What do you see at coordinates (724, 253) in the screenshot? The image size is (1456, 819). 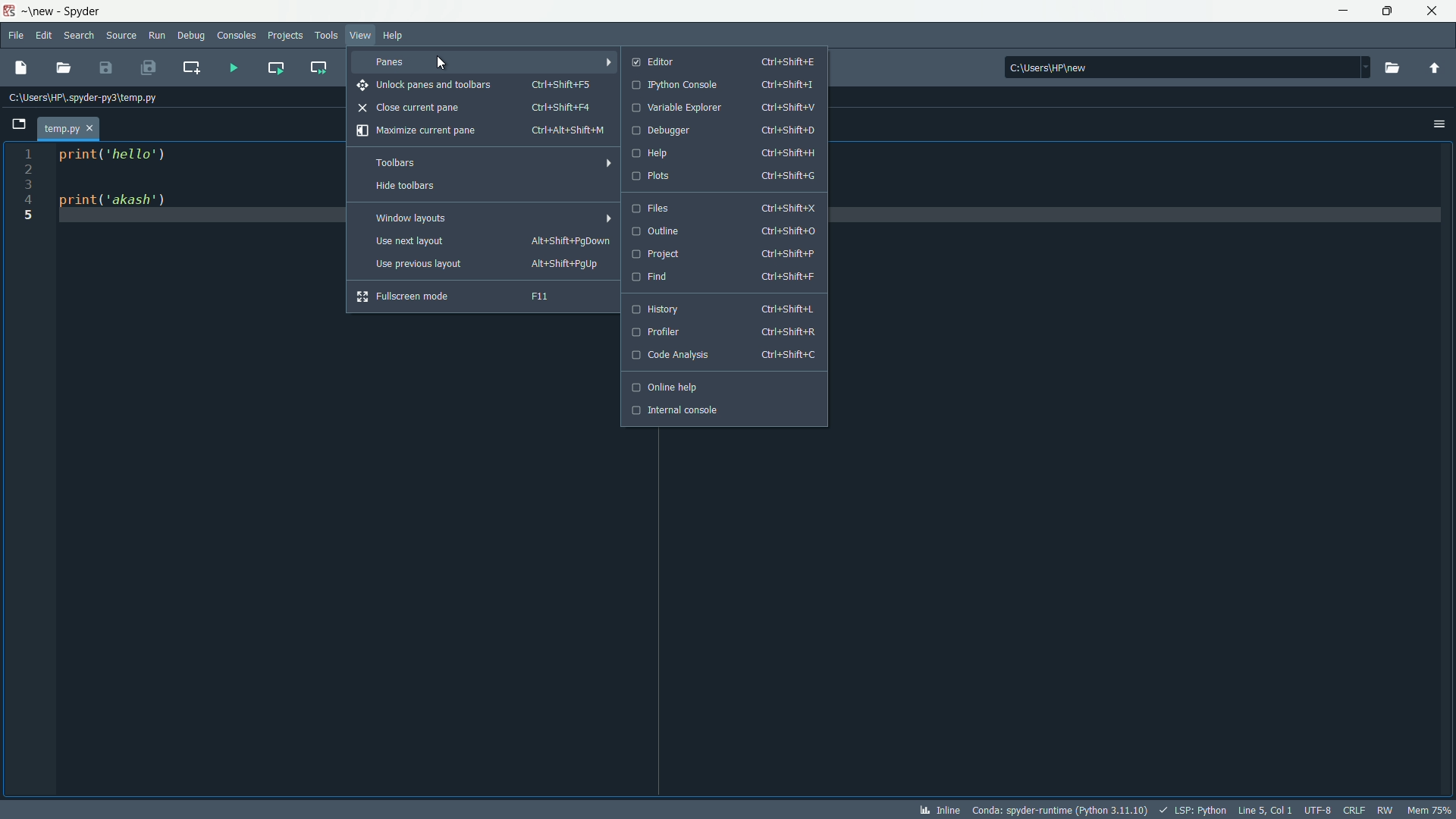 I see `project ` at bounding box center [724, 253].